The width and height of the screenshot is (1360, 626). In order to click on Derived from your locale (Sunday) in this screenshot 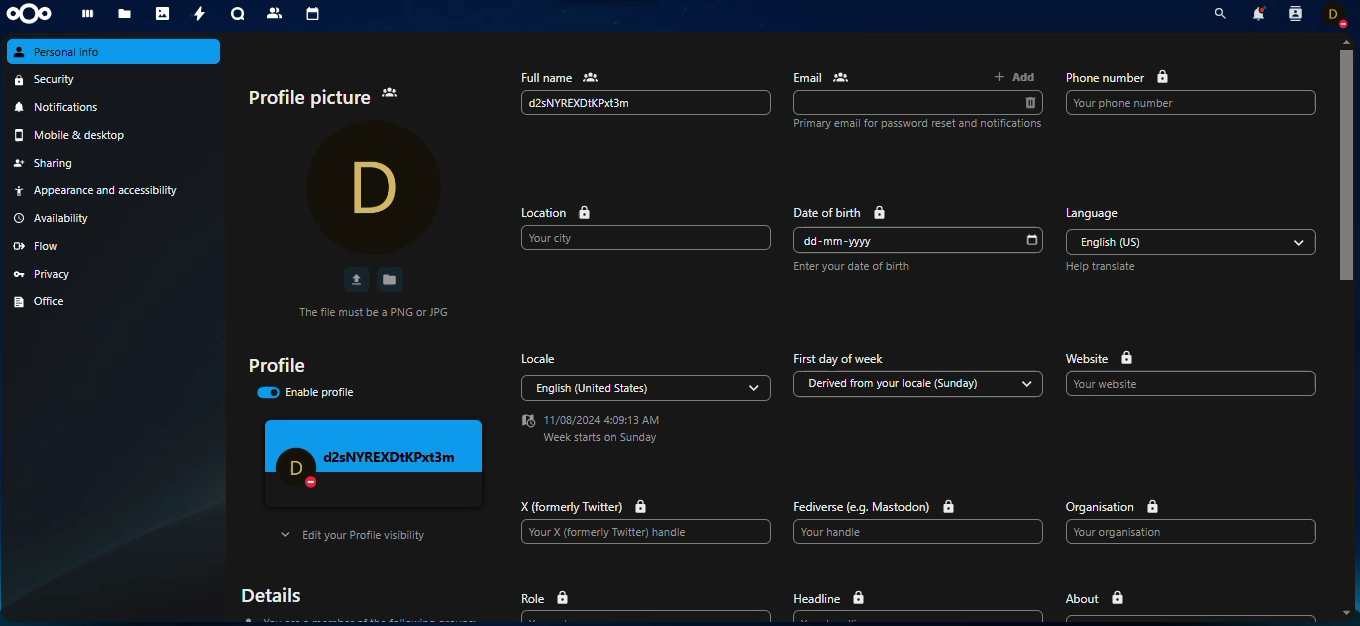, I will do `click(904, 384)`.